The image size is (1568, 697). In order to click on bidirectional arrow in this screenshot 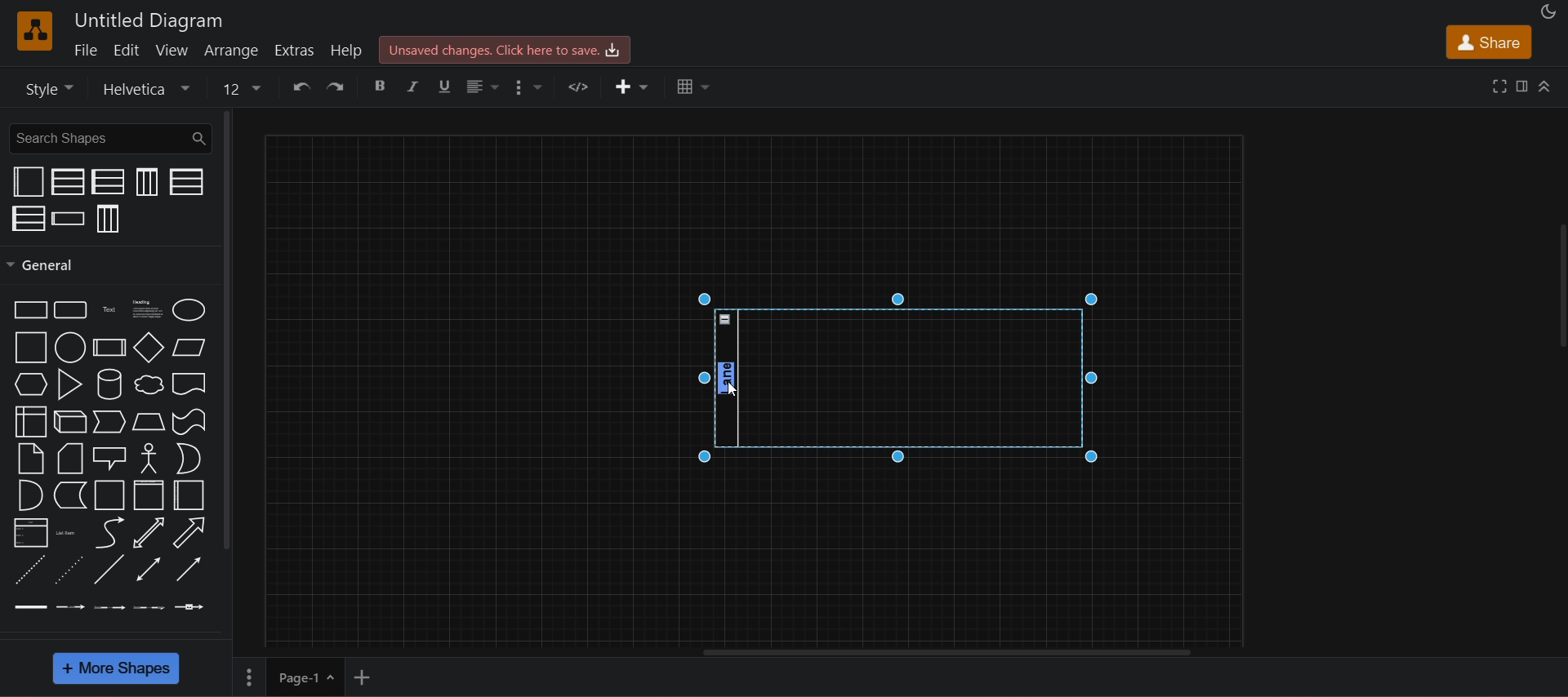, I will do `click(147, 533)`.